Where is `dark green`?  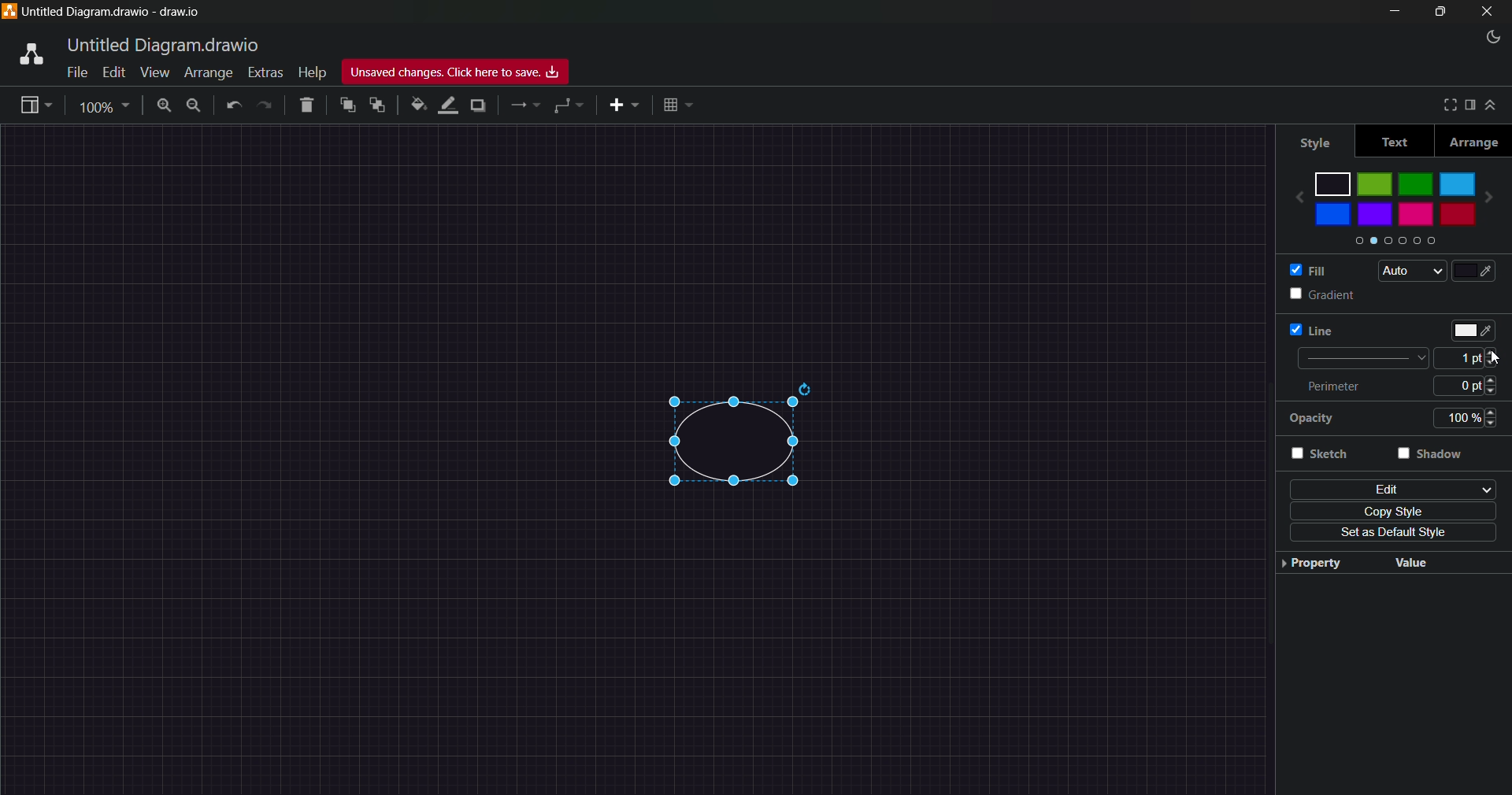
dark green is located at coordinates (1416, 183).